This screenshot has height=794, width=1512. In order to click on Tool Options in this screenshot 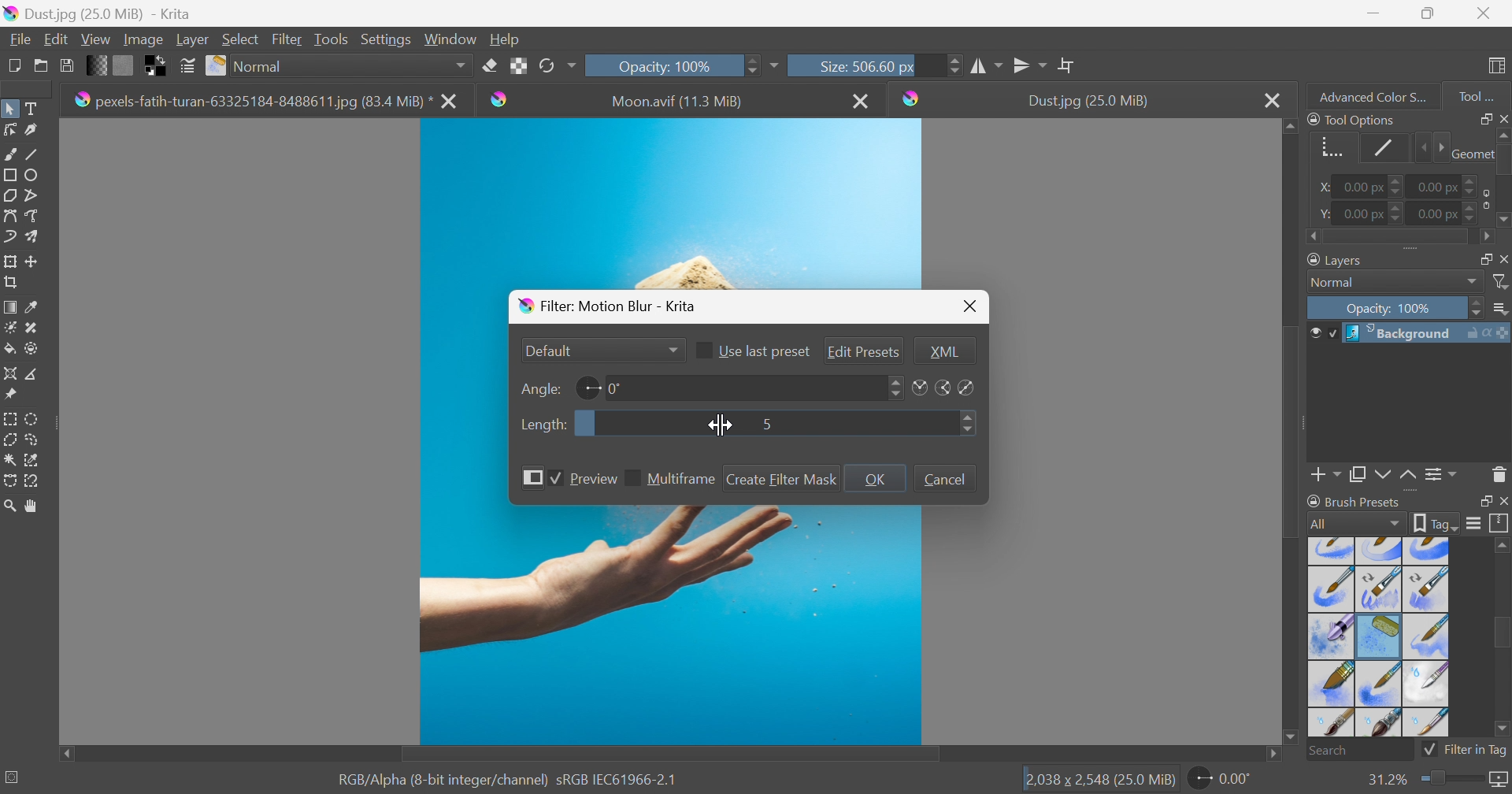, I will do `click(1351, 119)`.